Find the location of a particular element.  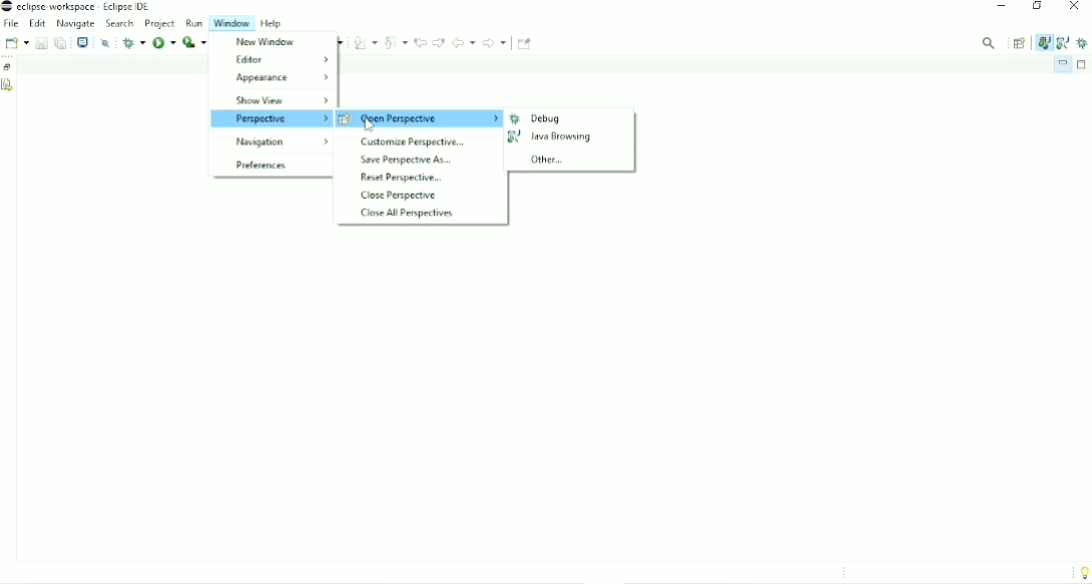

Java Browsing is located at coordinates (550, 137).